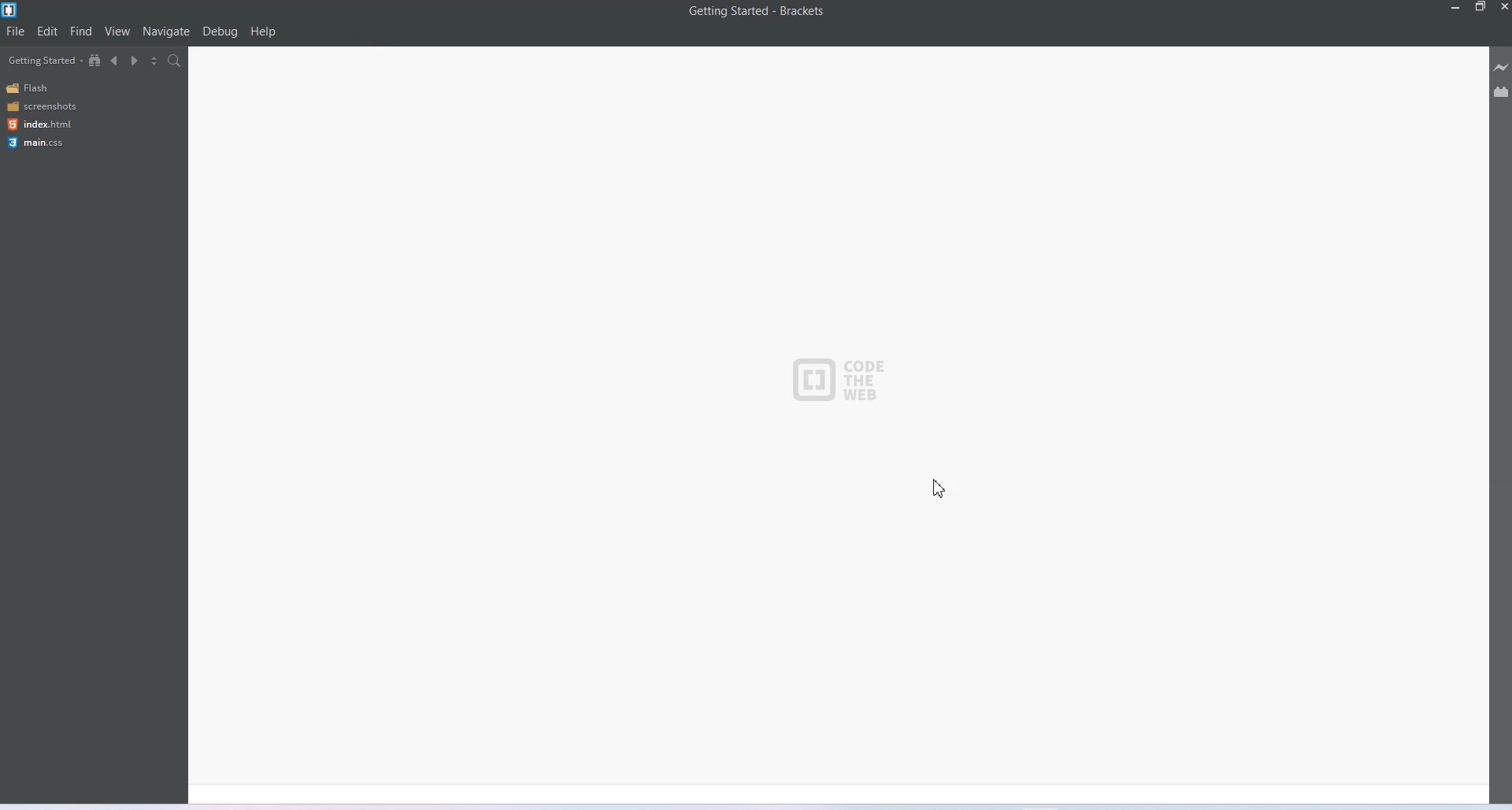 This screenshot has height=810, width=1512. I want to click on Show in the file tree, so click(95, 60).